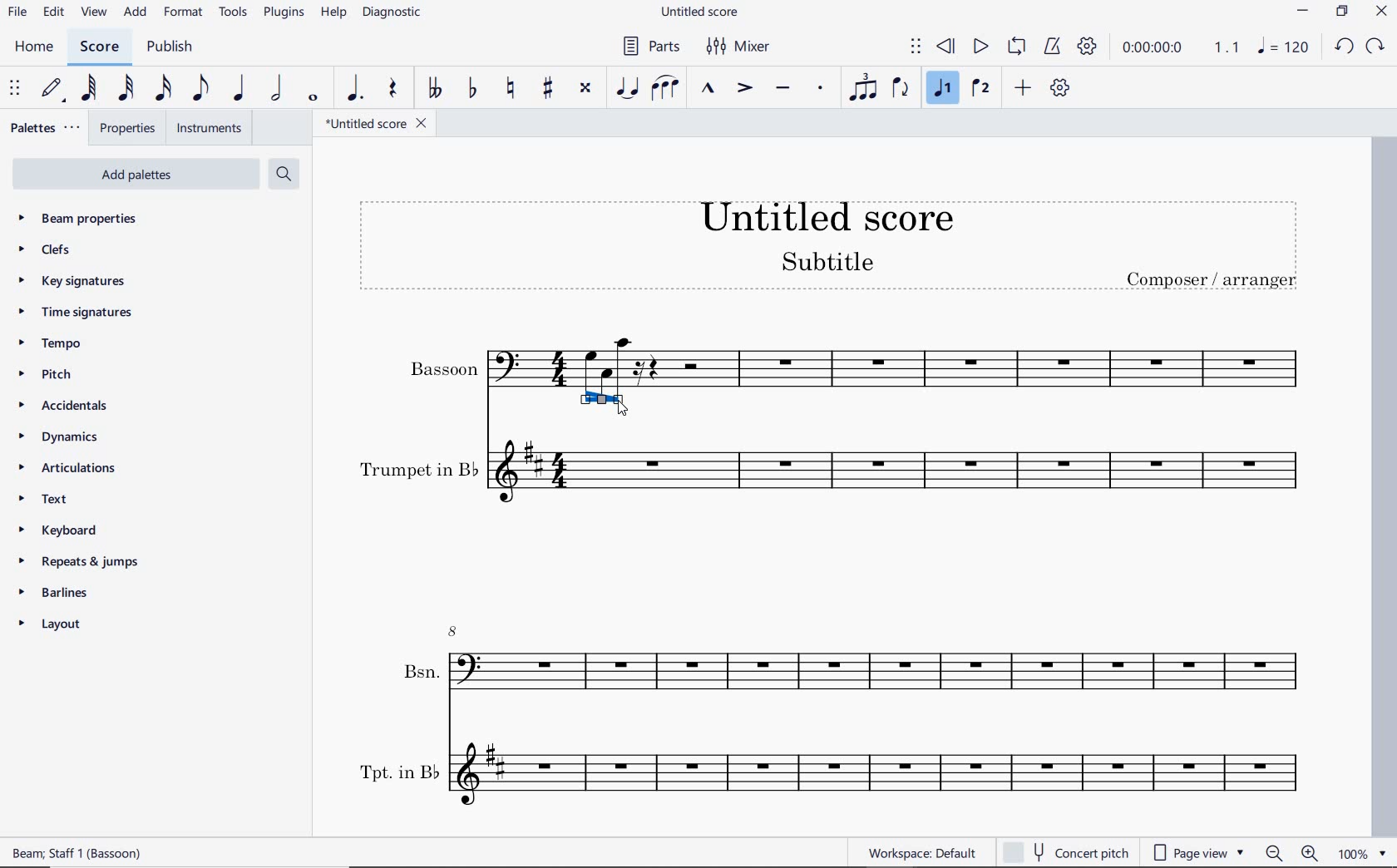  Describe the element at coordinates (1284, 47) in the screenshot. I see `NOTE` at that location.